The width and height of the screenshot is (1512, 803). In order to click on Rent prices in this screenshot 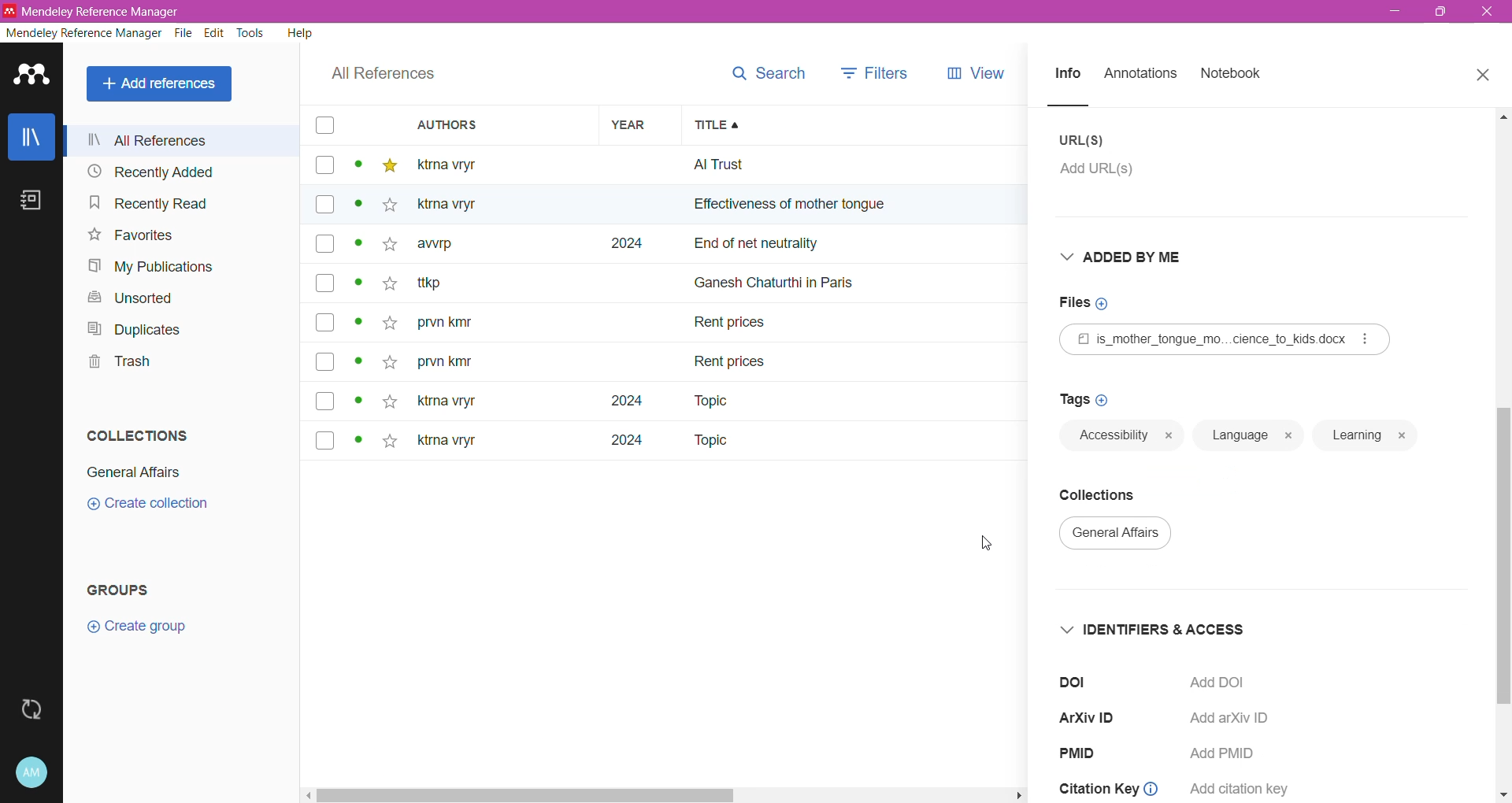, I will do `click(732, 325)`.